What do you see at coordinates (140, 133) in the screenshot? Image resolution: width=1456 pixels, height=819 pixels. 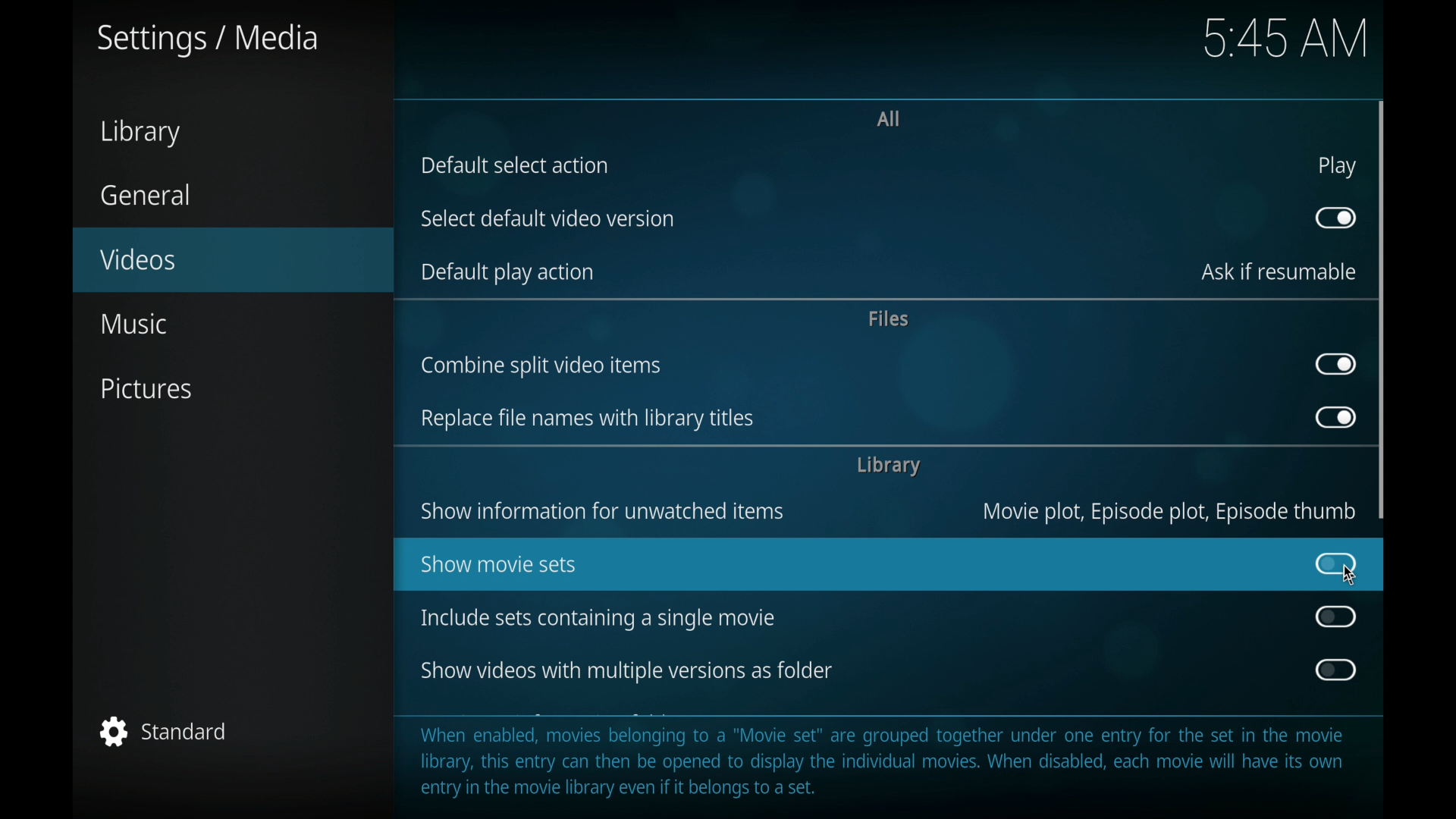 I see `library` at bounding box center [140, 133].